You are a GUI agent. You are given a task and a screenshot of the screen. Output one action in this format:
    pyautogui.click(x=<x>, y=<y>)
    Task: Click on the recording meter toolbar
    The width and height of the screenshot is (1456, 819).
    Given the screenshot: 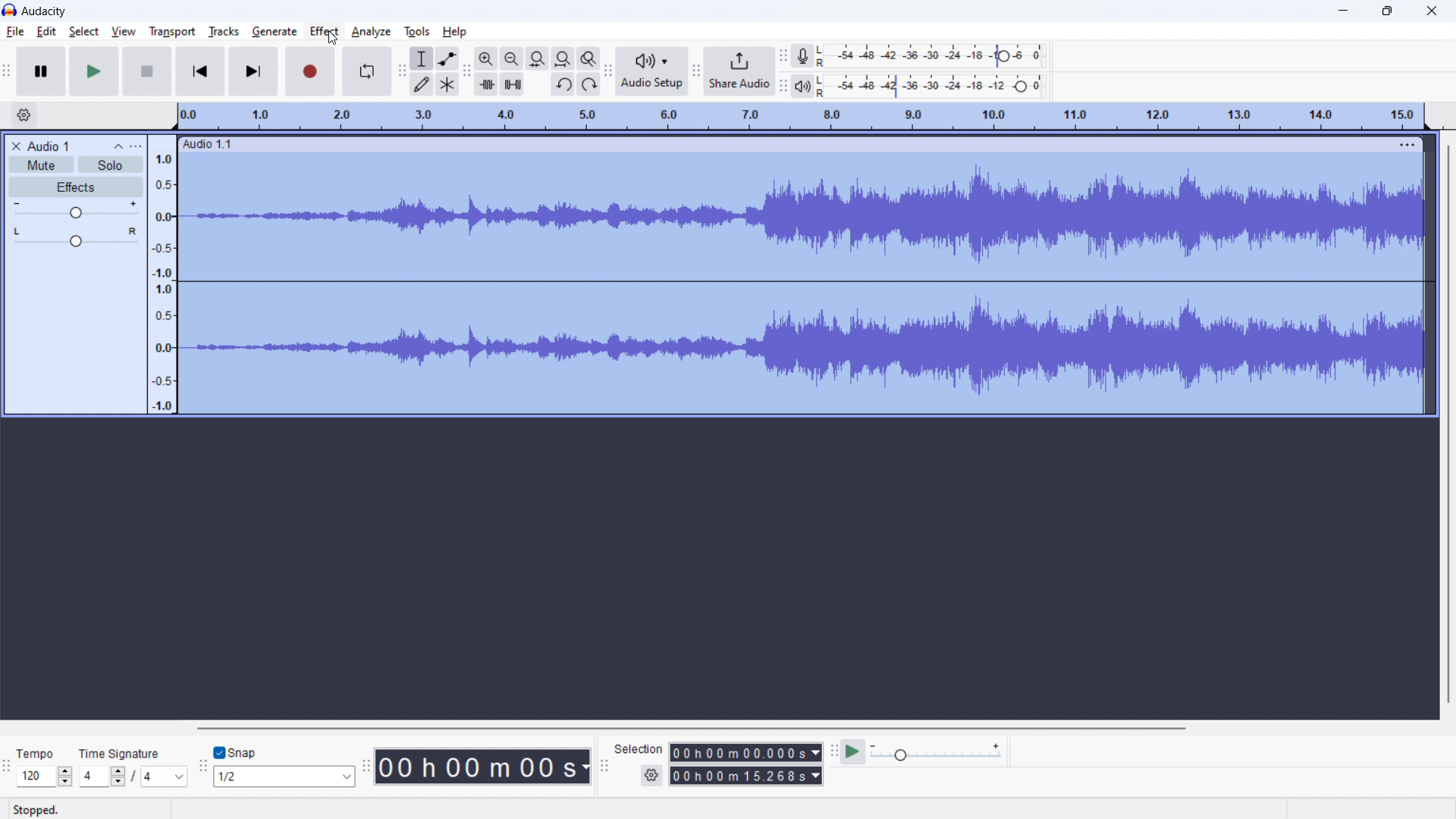 What is the action you would take?
    pyautogui.click(x=783, y=56)
    